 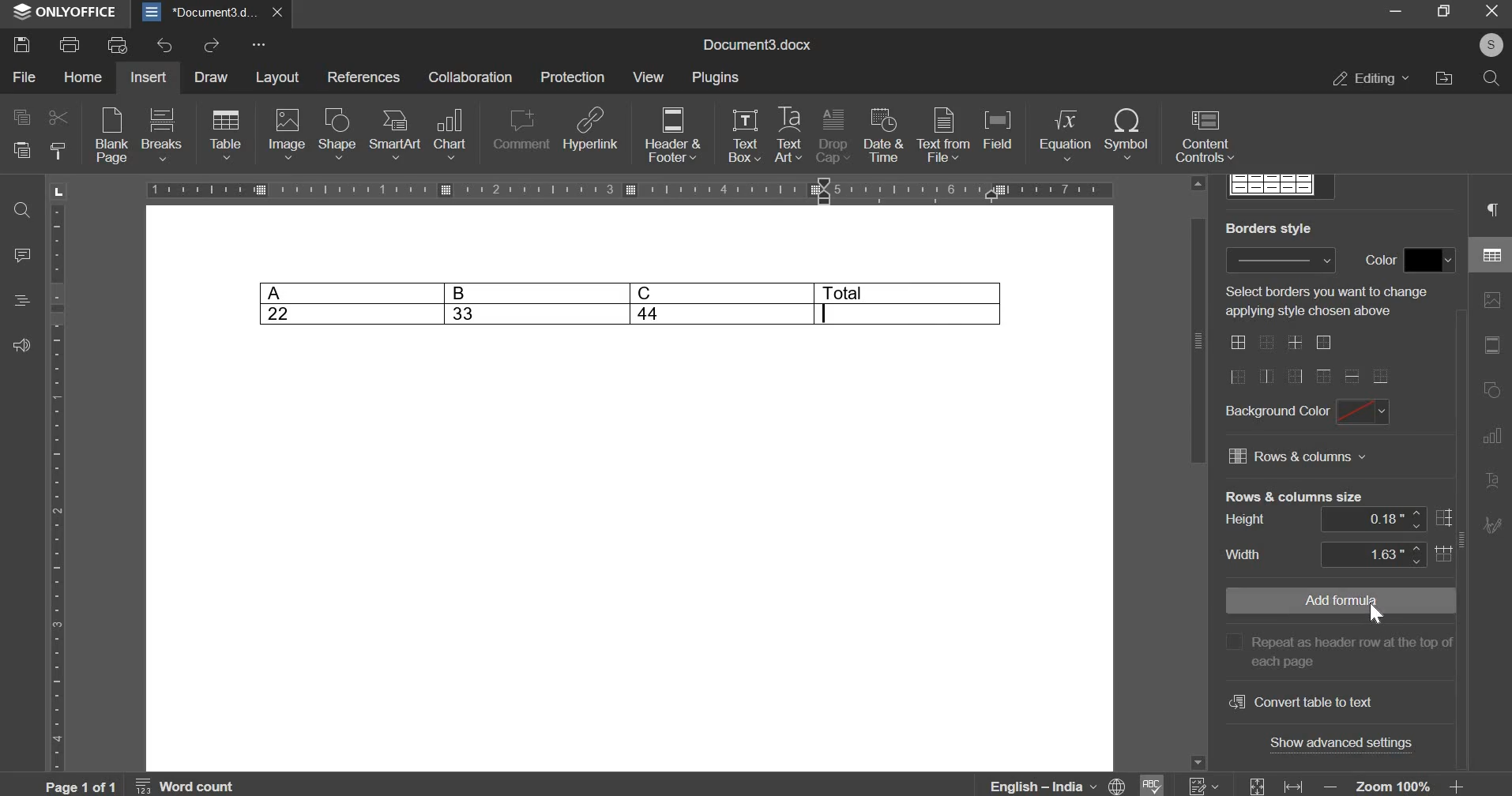 I want to click on Document3.docx, so click(x=755, y=45).